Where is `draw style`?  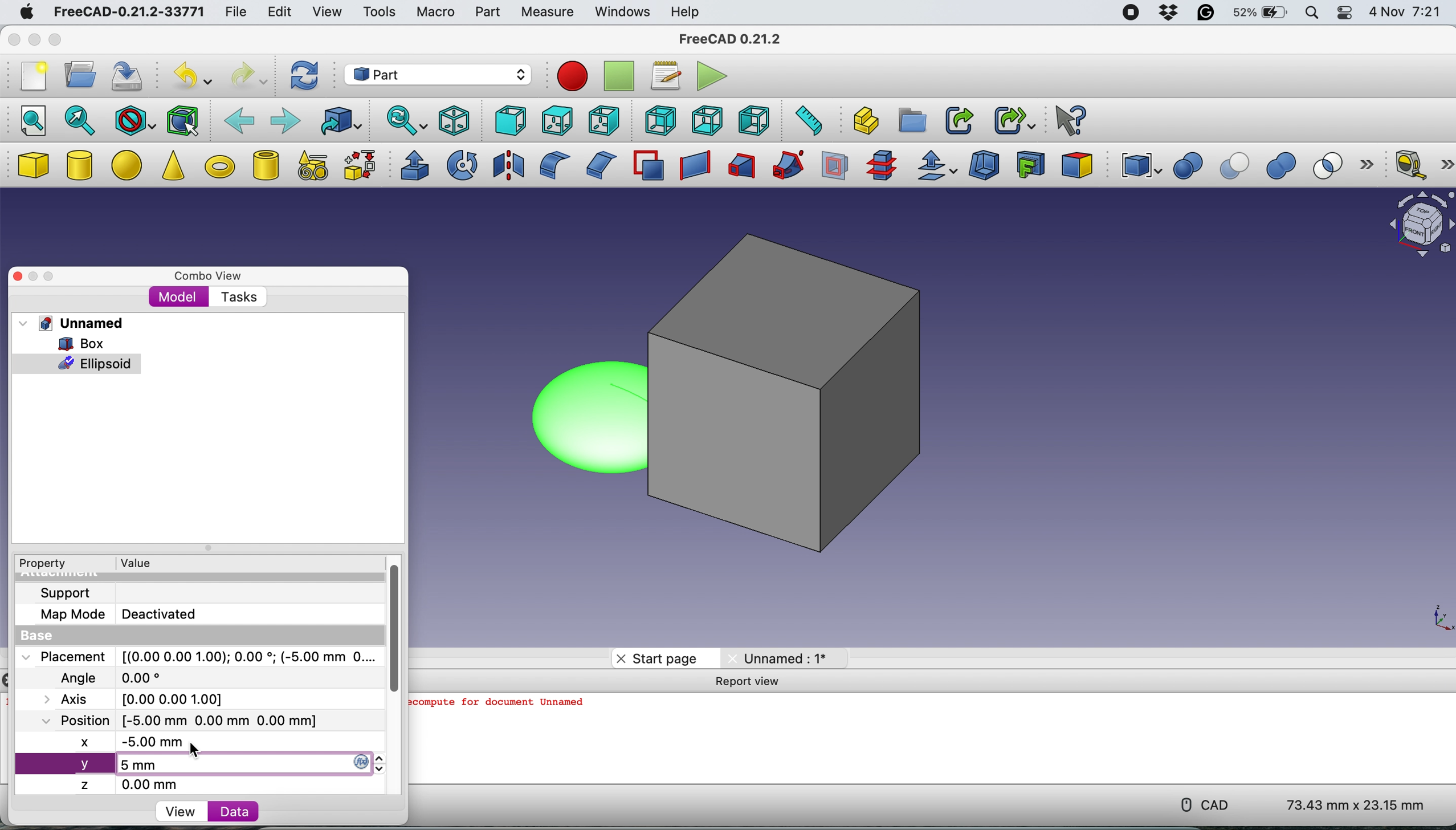 draw style is located at coordinates (134, 121).